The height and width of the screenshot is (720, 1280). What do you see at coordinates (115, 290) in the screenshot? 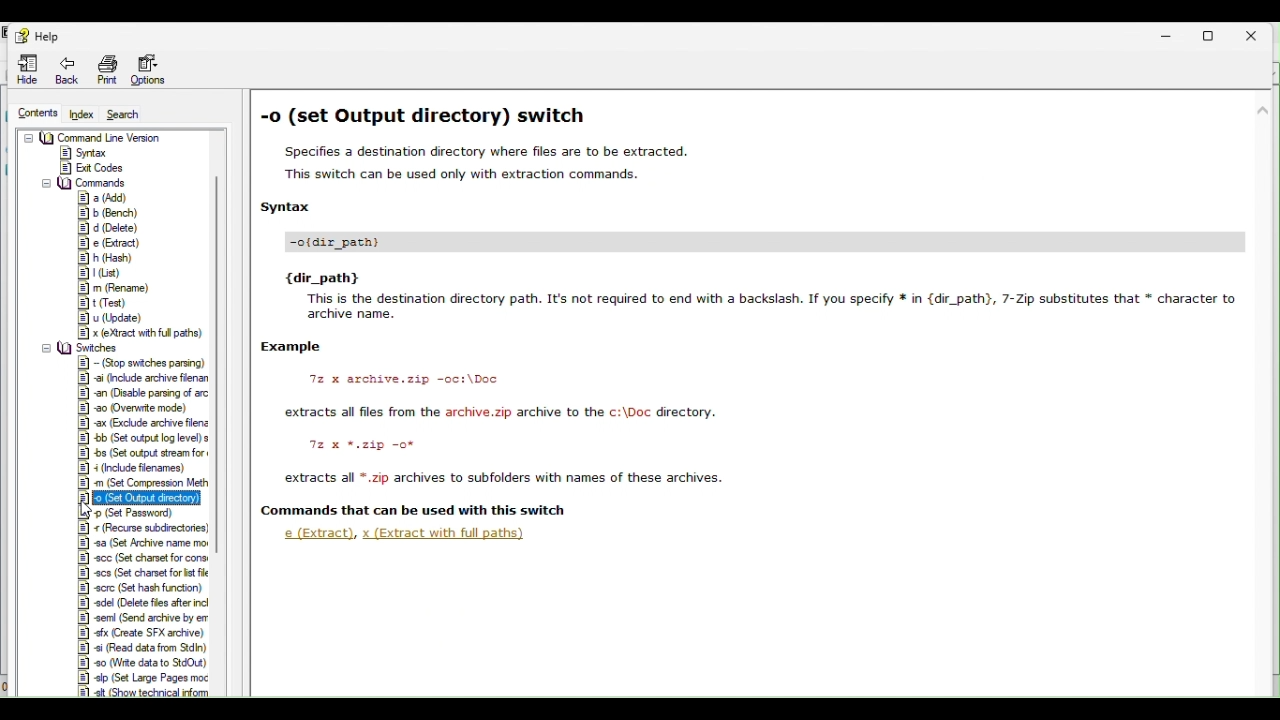
I see `Rename` at bounding box center [115, 290].